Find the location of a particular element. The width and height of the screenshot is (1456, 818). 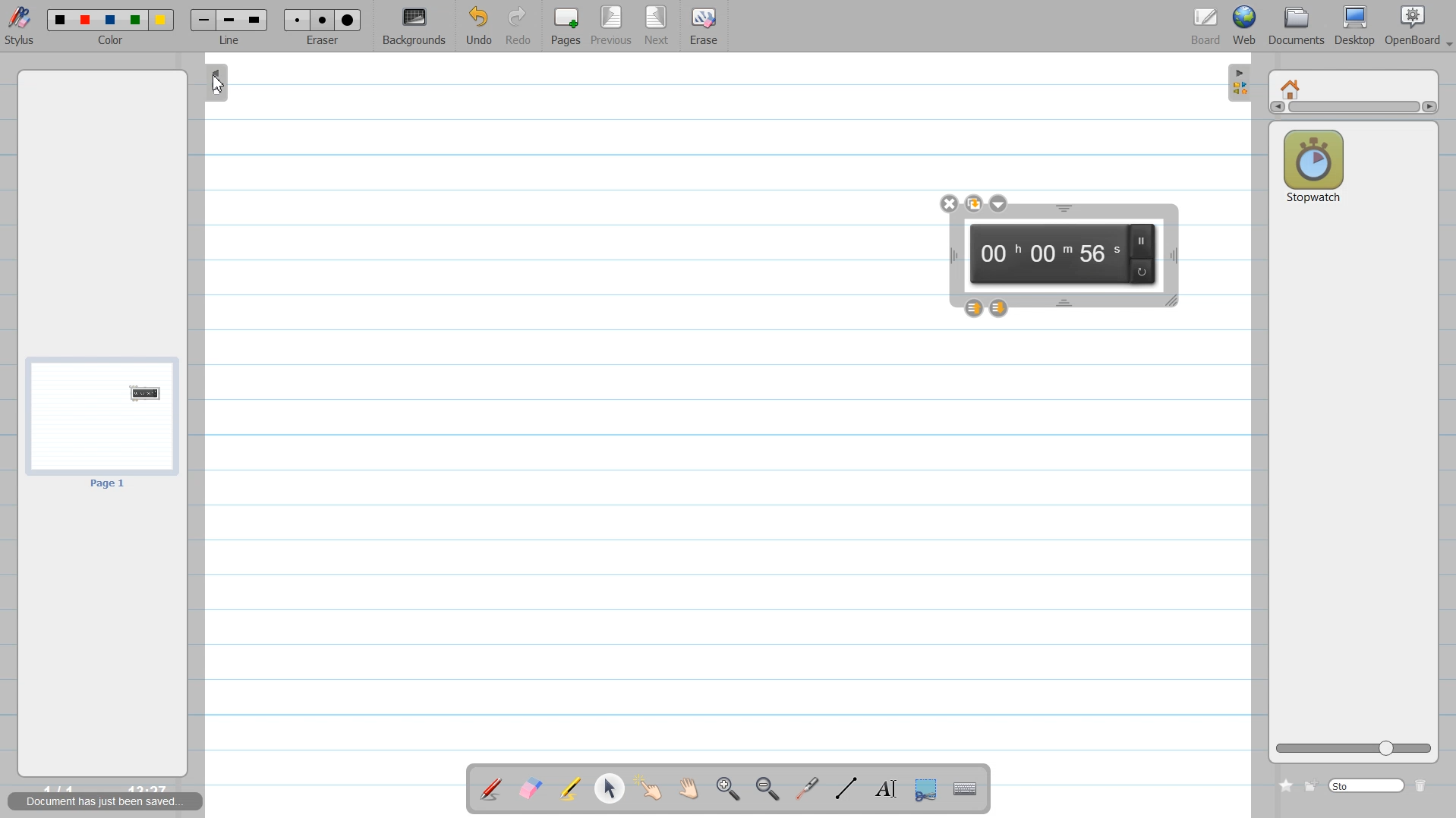

Page 1  is located at coordinates (102, 423).